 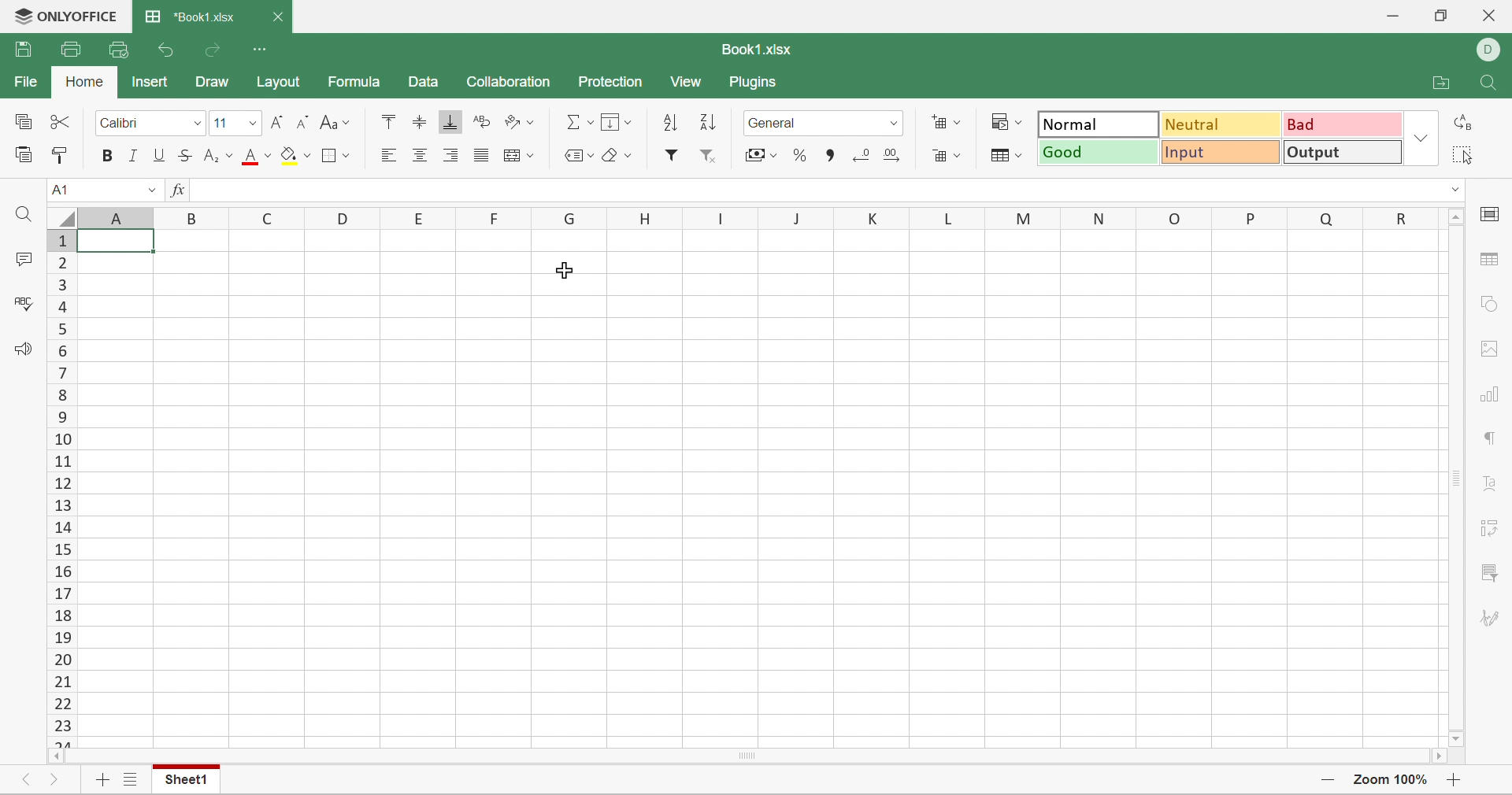 I want to click on Print file, so click(x=70, y=50).